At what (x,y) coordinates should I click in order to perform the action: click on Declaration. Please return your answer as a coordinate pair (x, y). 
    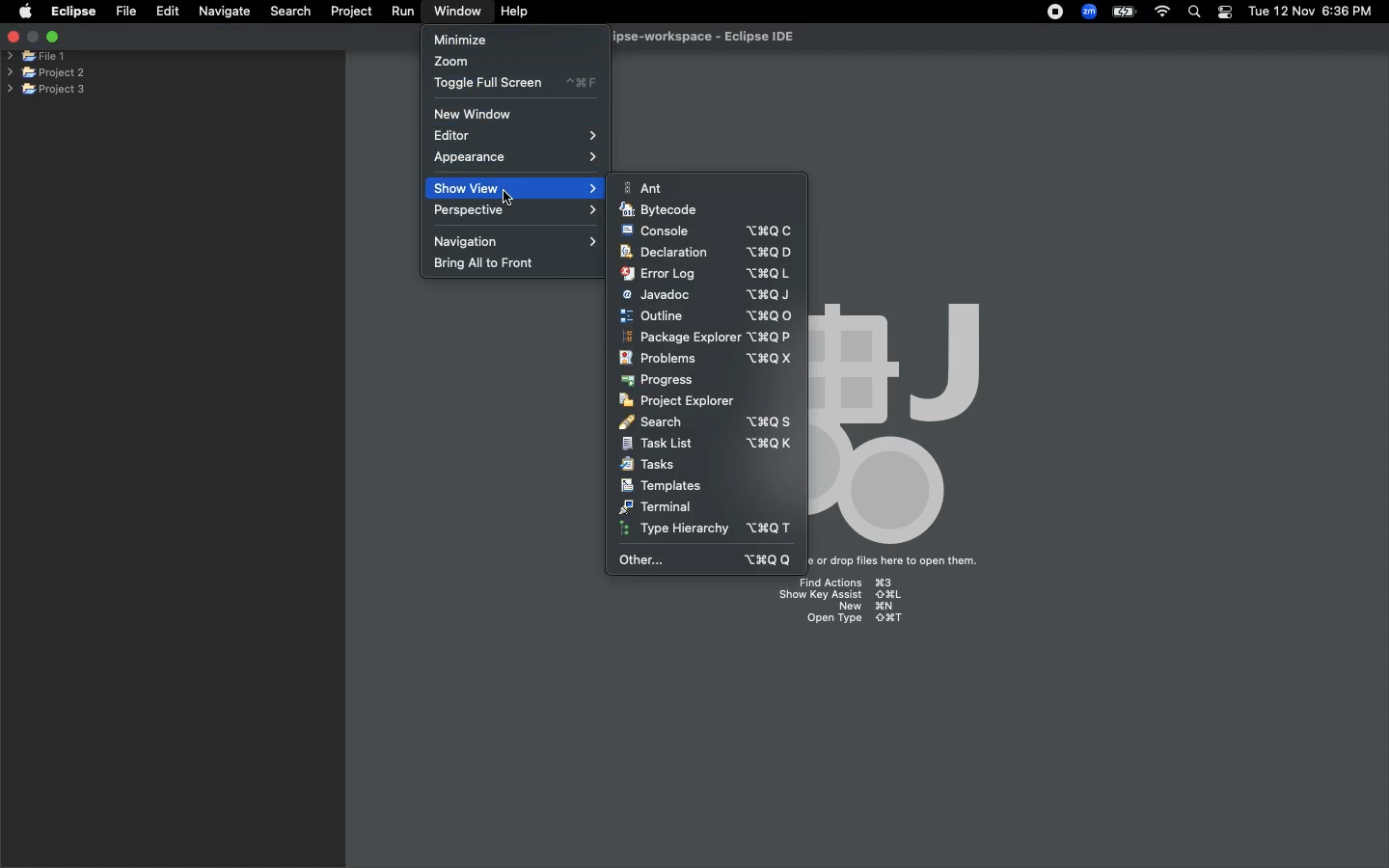
    Looking at the image, I should click on (704, 253).